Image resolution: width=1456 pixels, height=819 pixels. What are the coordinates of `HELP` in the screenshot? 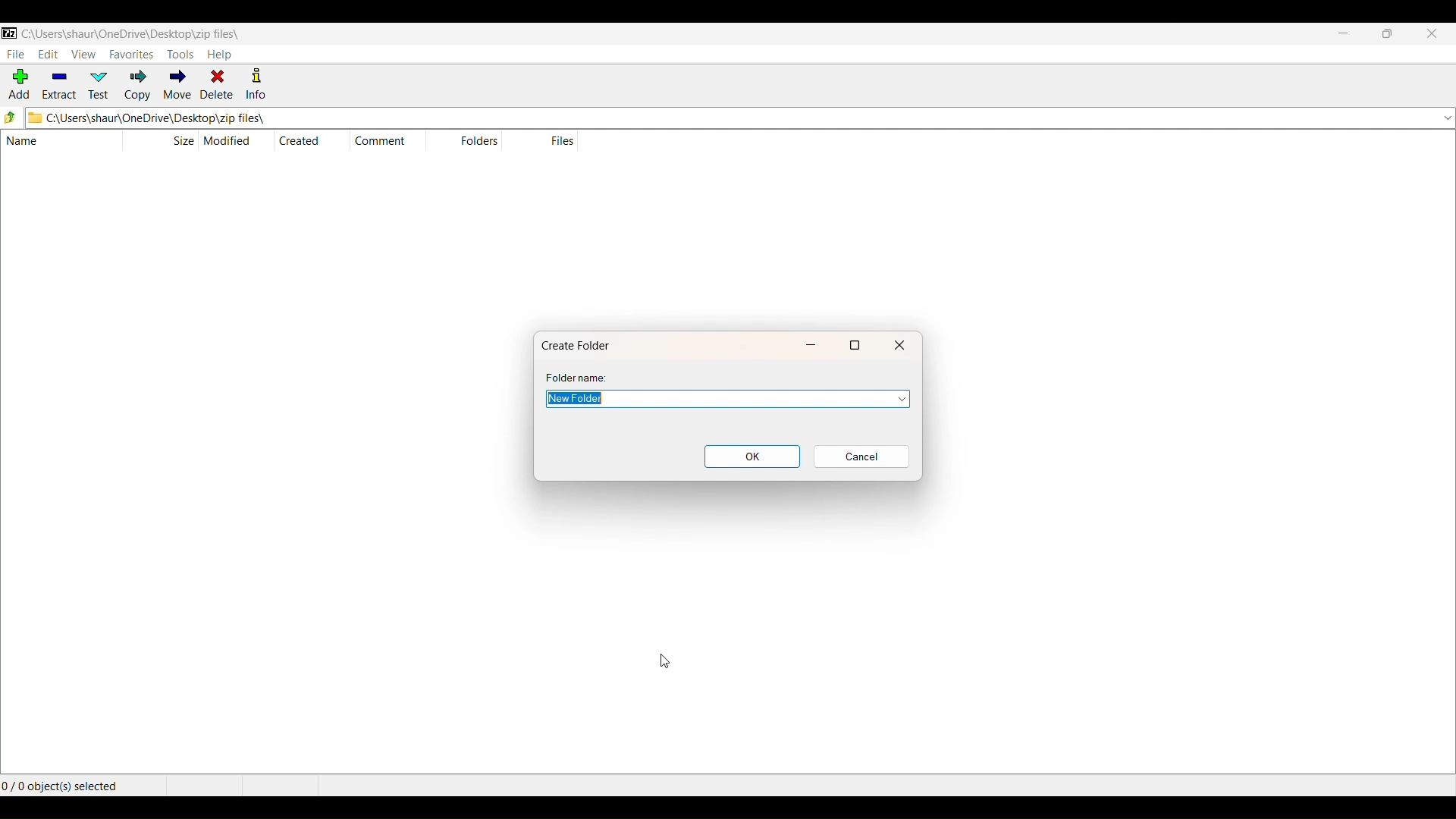 It's located at (220, 55).